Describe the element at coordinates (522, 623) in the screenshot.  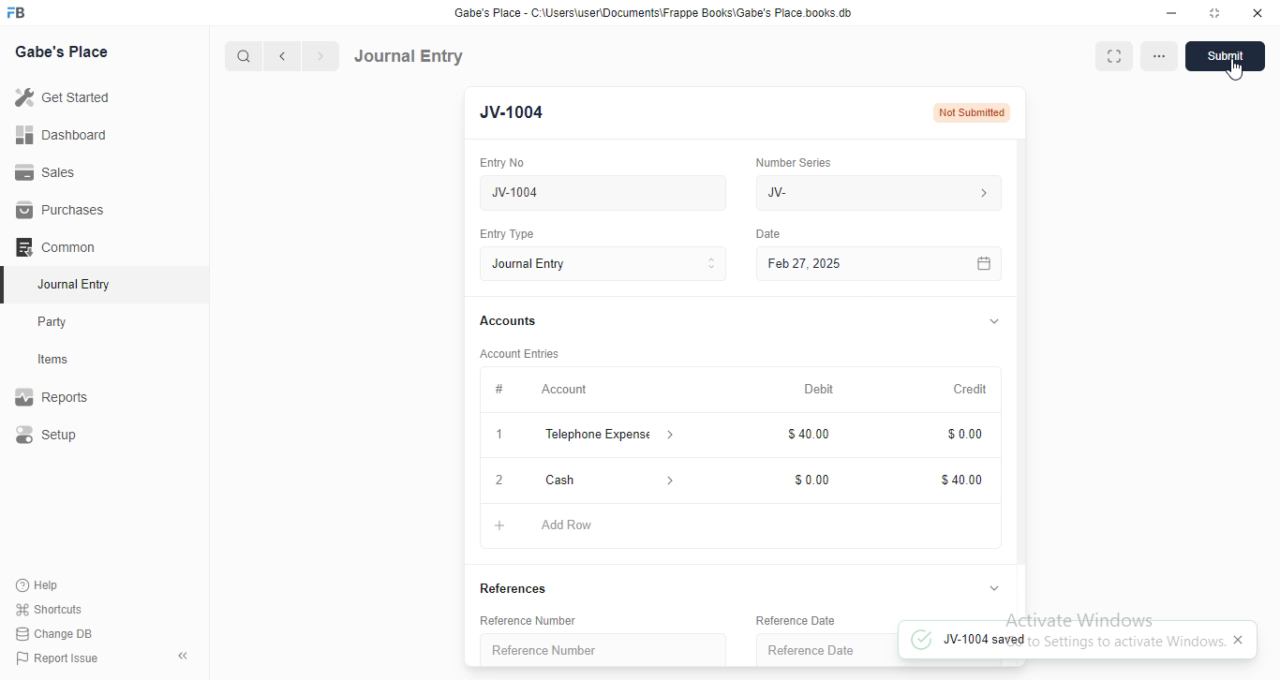
I see `Reference Number` at that location.